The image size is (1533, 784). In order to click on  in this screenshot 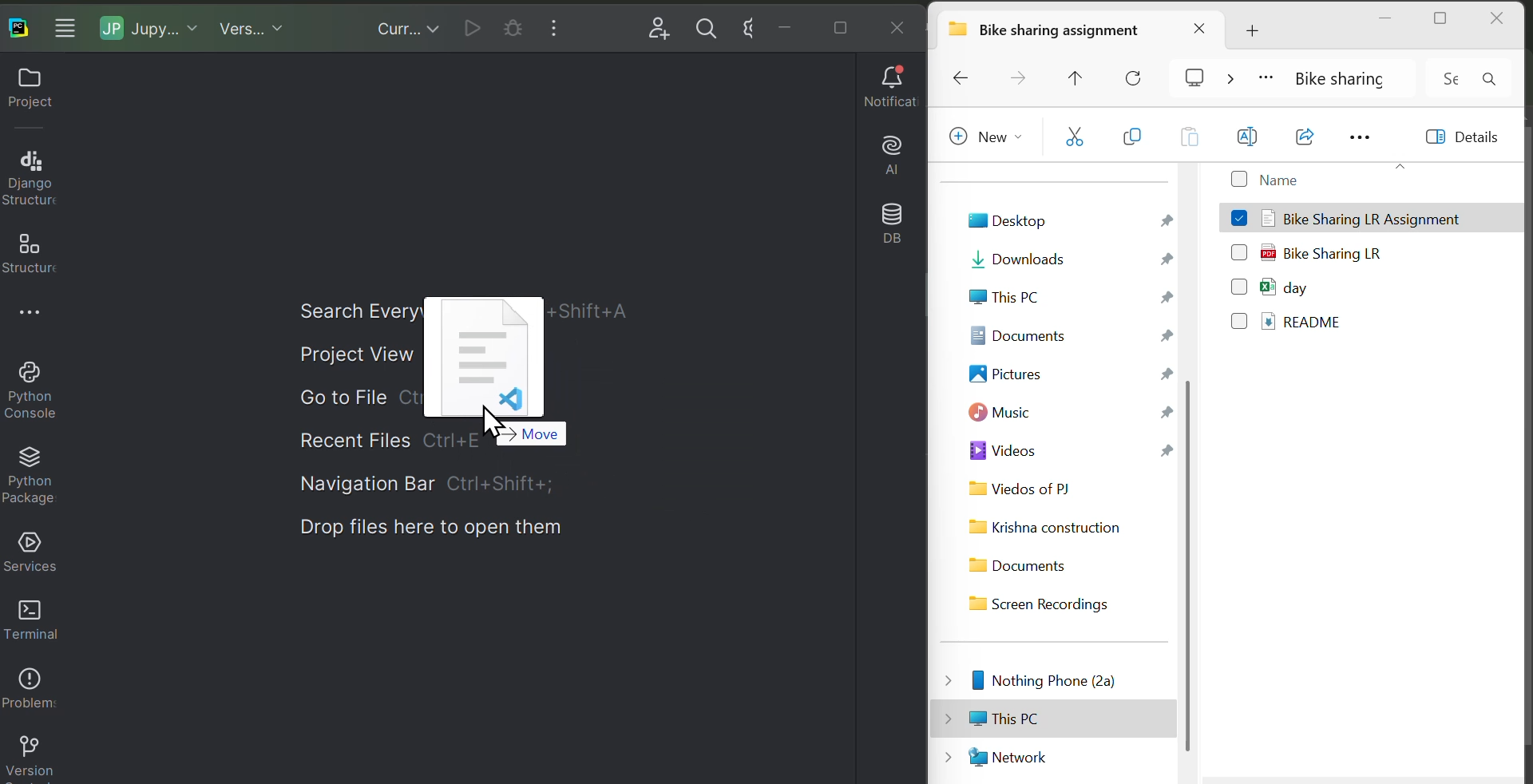, I will do `click(748, 25)`.